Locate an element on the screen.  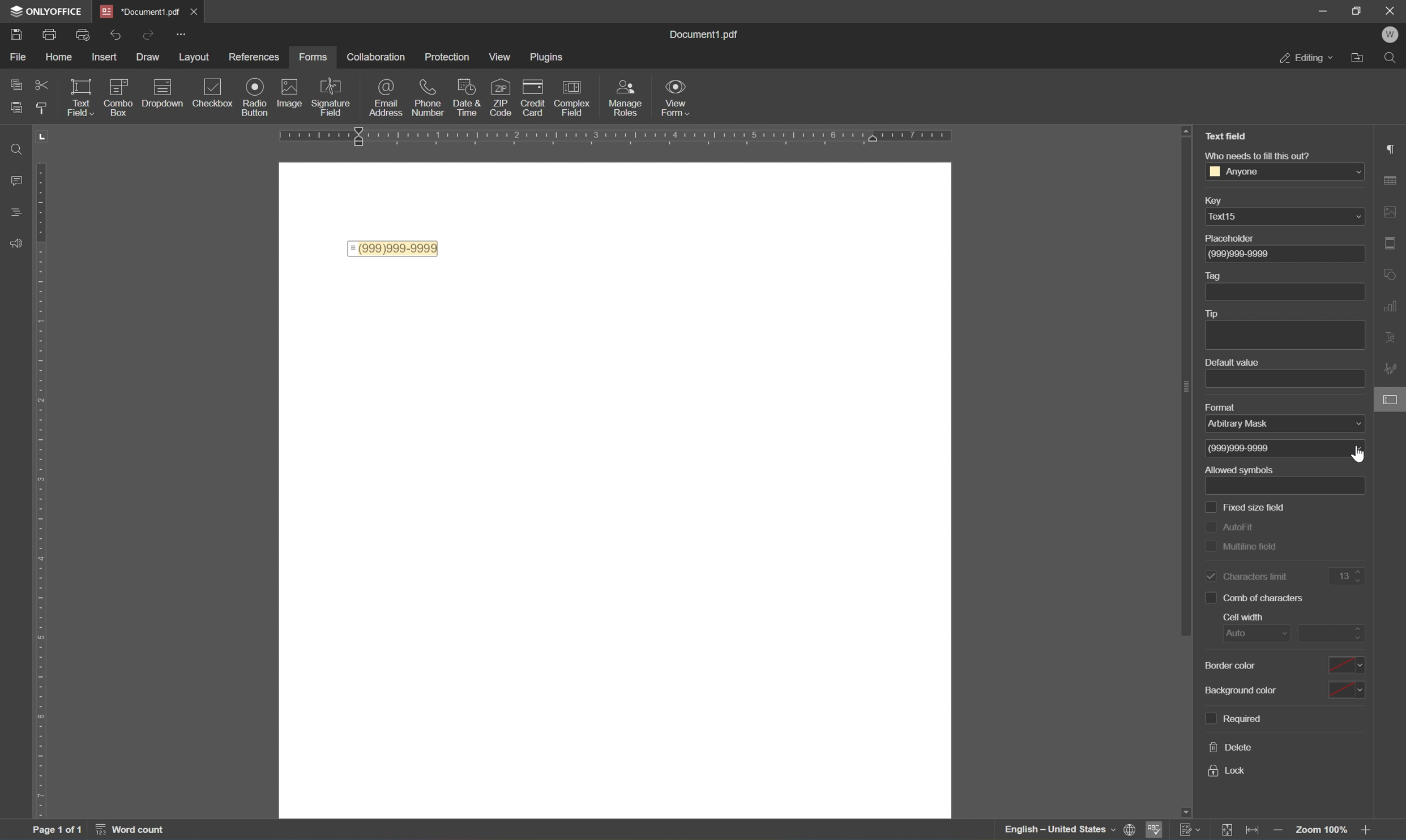
lock is located at coordinates (1227, 773).